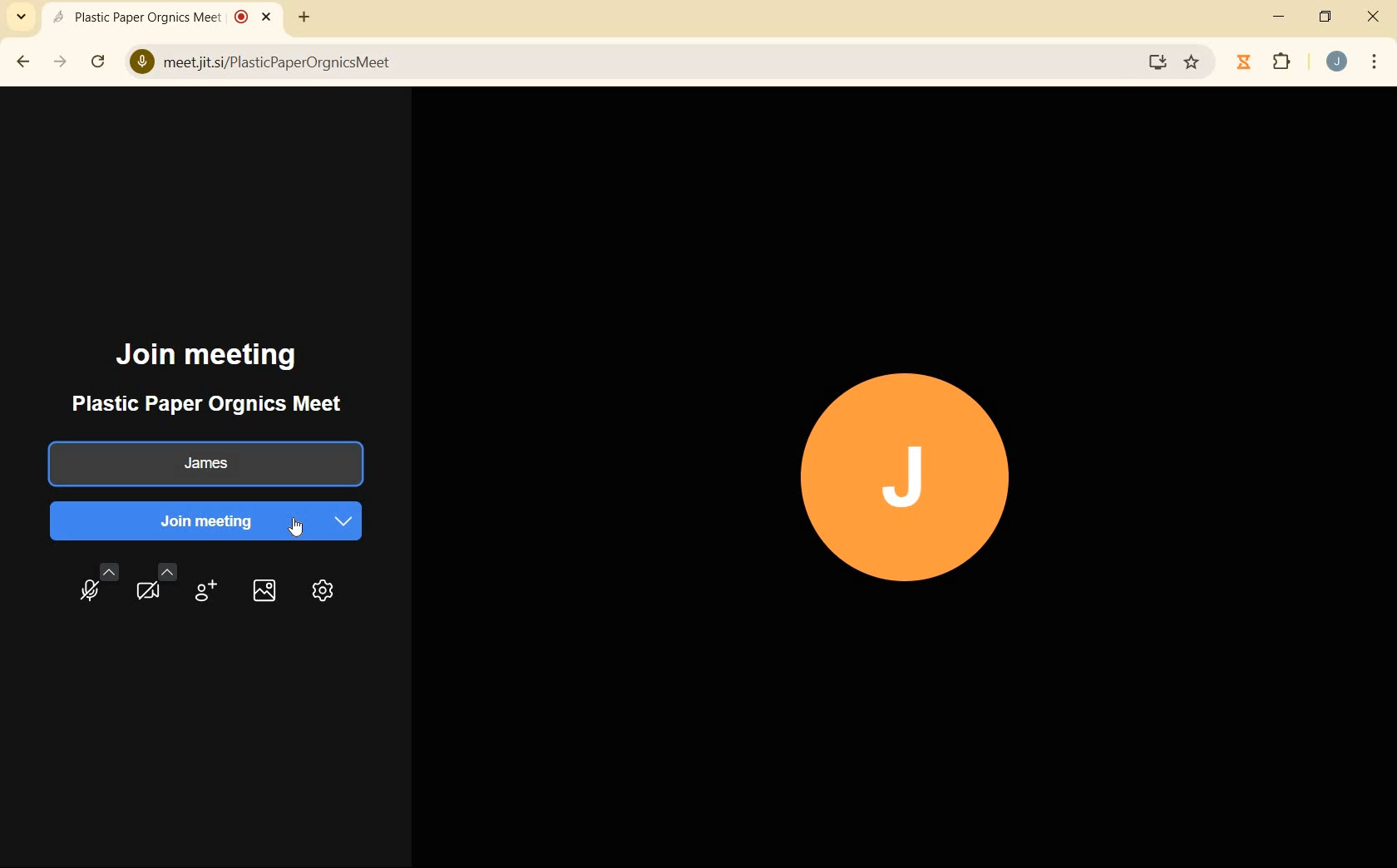 This screenshot has width=1397, height=868. Describe the element at coordinates (1375, 62) in the screenshot. I see `customize google chrome` at that location.